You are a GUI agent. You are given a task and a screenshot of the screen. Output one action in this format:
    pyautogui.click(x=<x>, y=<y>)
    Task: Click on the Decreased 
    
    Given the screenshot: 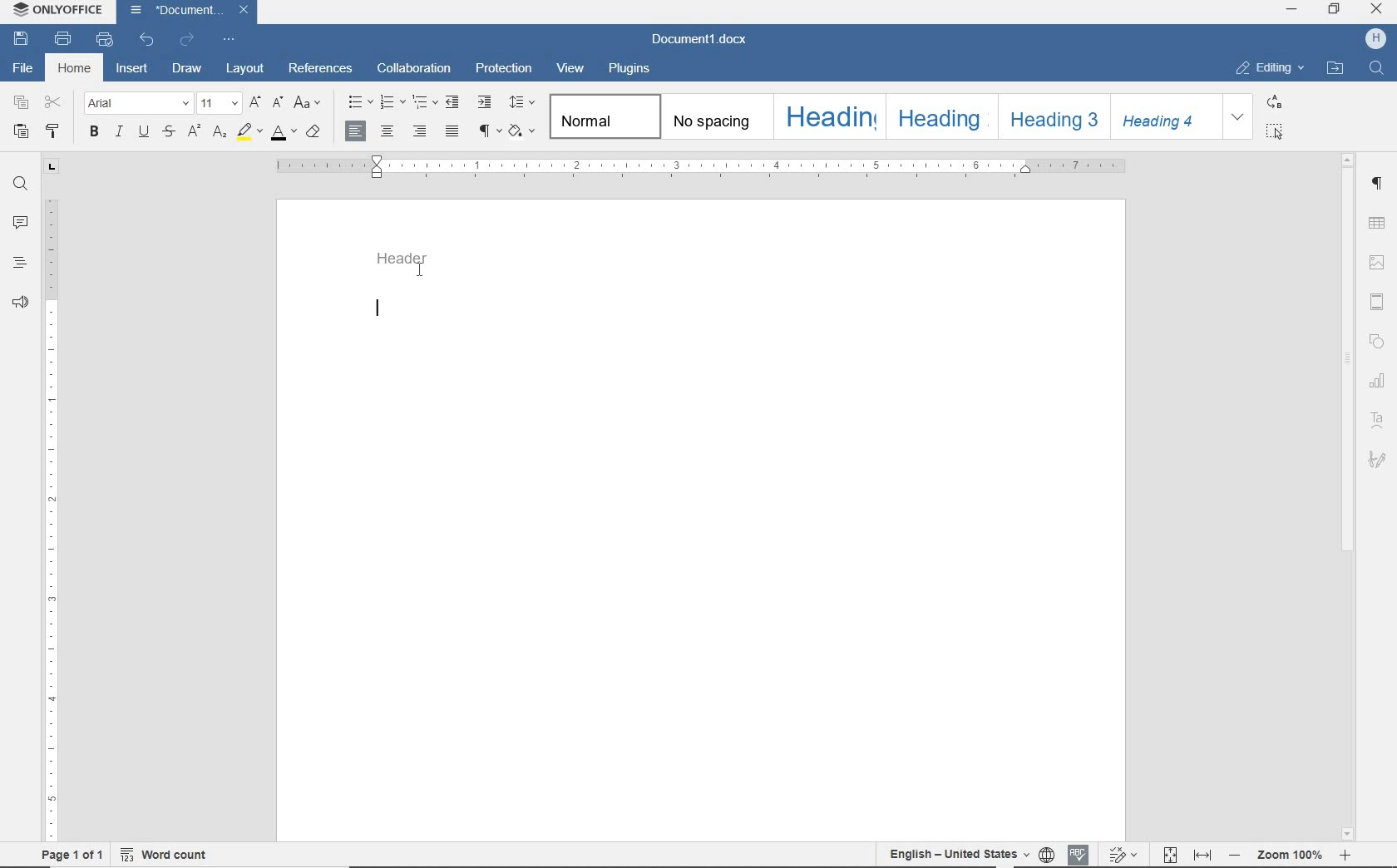 What is the action you would take?
    pyautogui.click(x=1234, y=853)
    